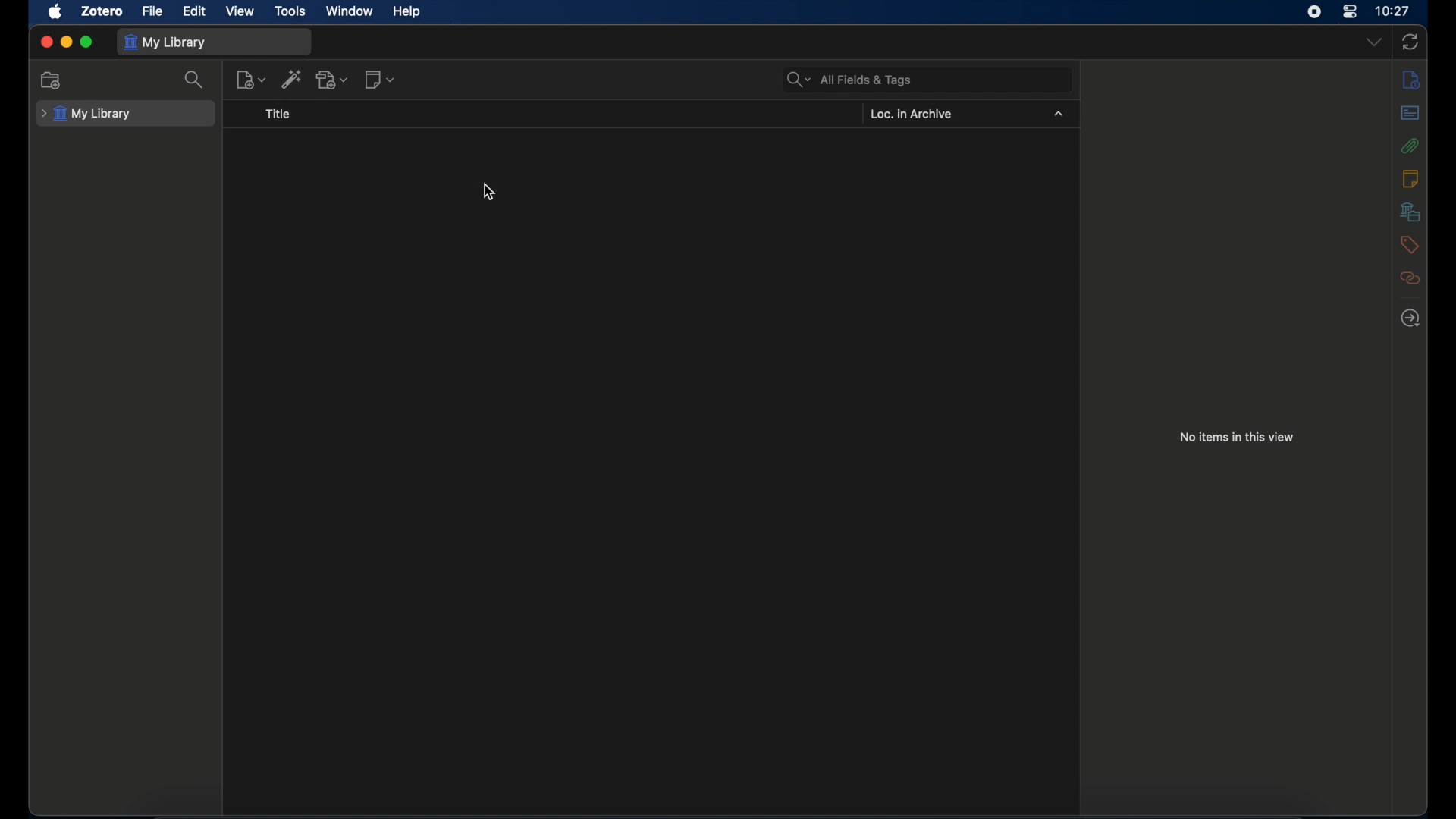 The height and width of the screenshot is (819, 1456). Describe the element at coordinates (86, 115) in the screenshot. I see `my library` at that location.